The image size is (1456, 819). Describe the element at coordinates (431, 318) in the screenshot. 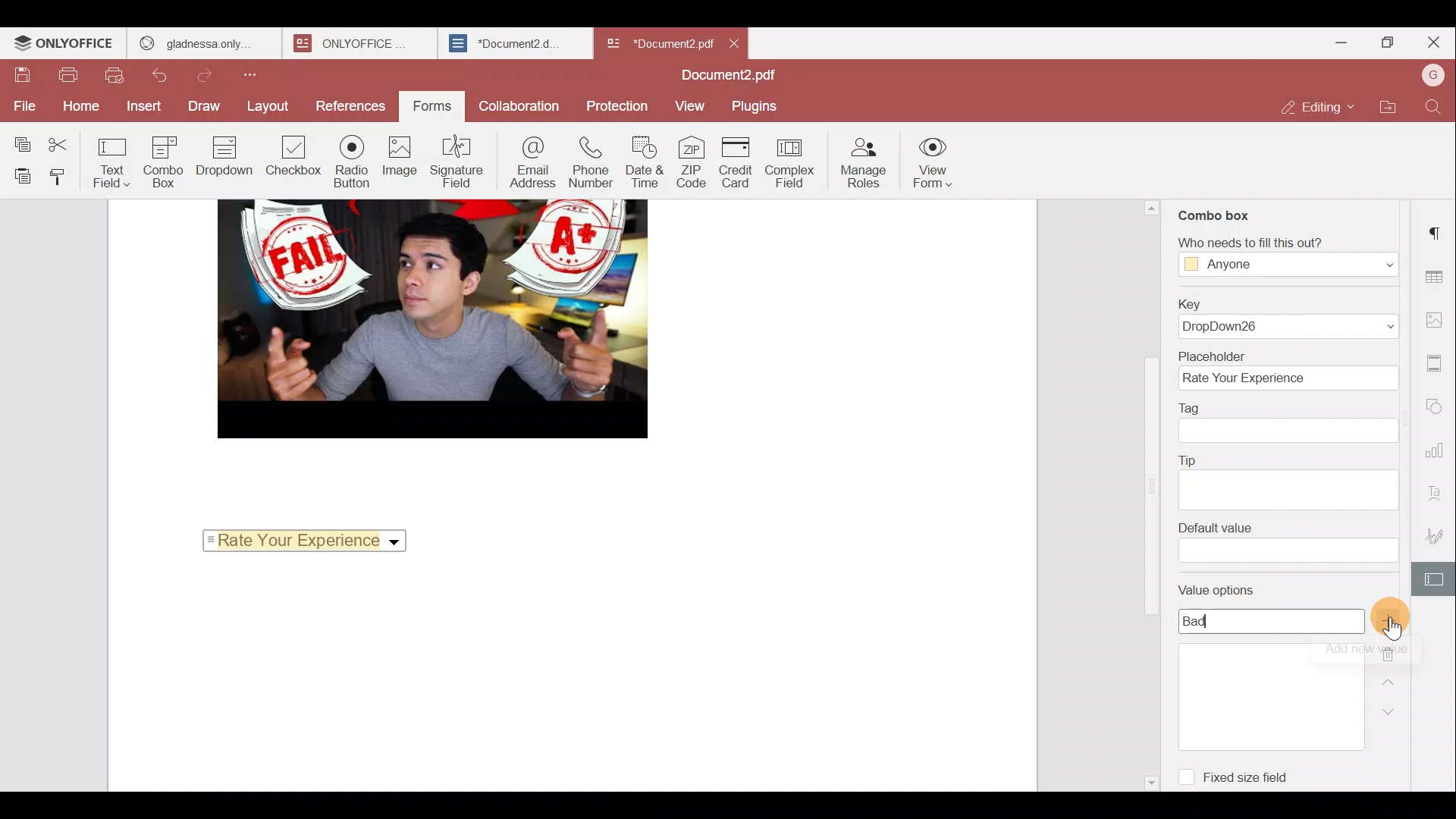

I see `image` at that location.